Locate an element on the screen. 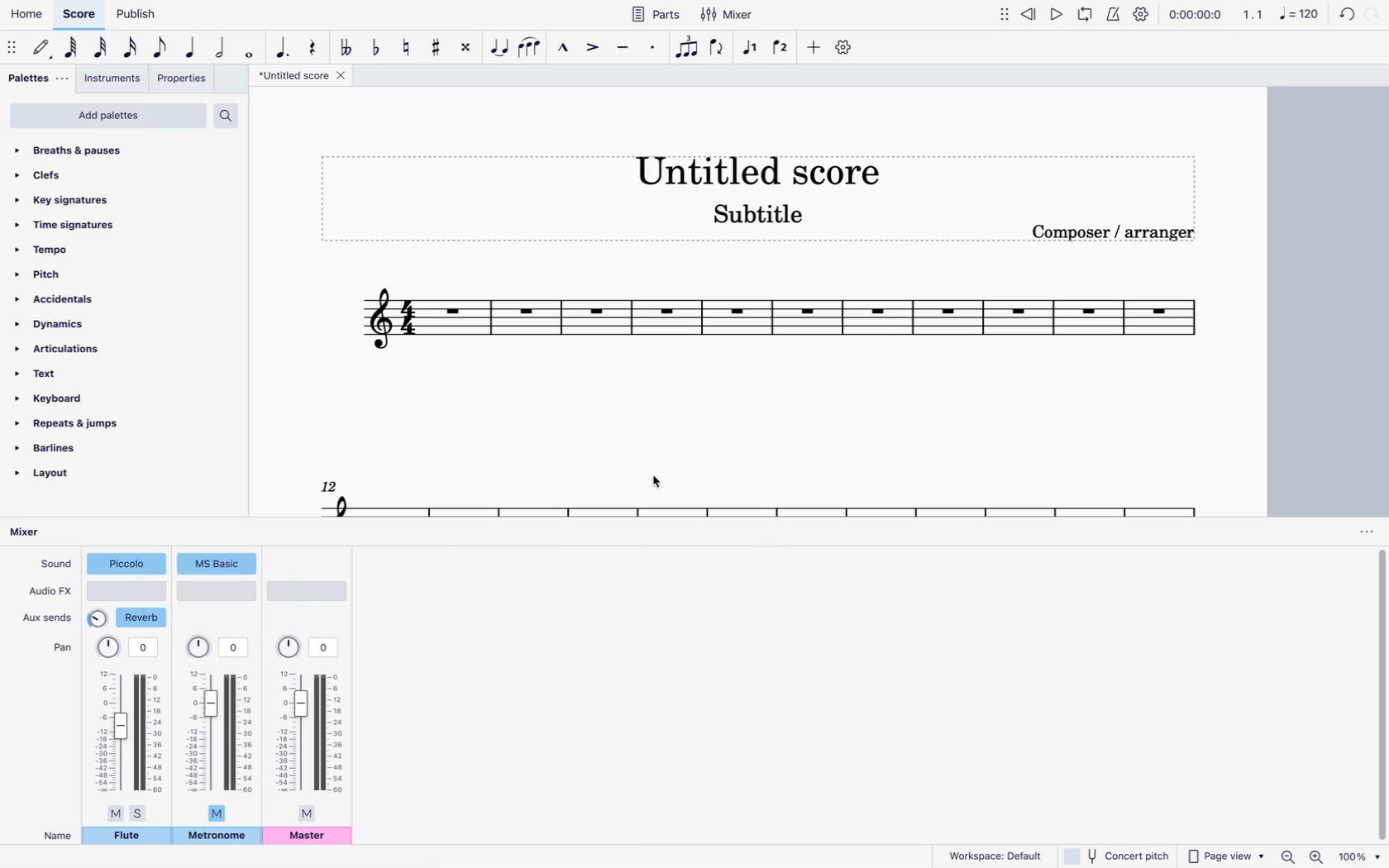  concert pitch is located at coordinates (1115, 855).